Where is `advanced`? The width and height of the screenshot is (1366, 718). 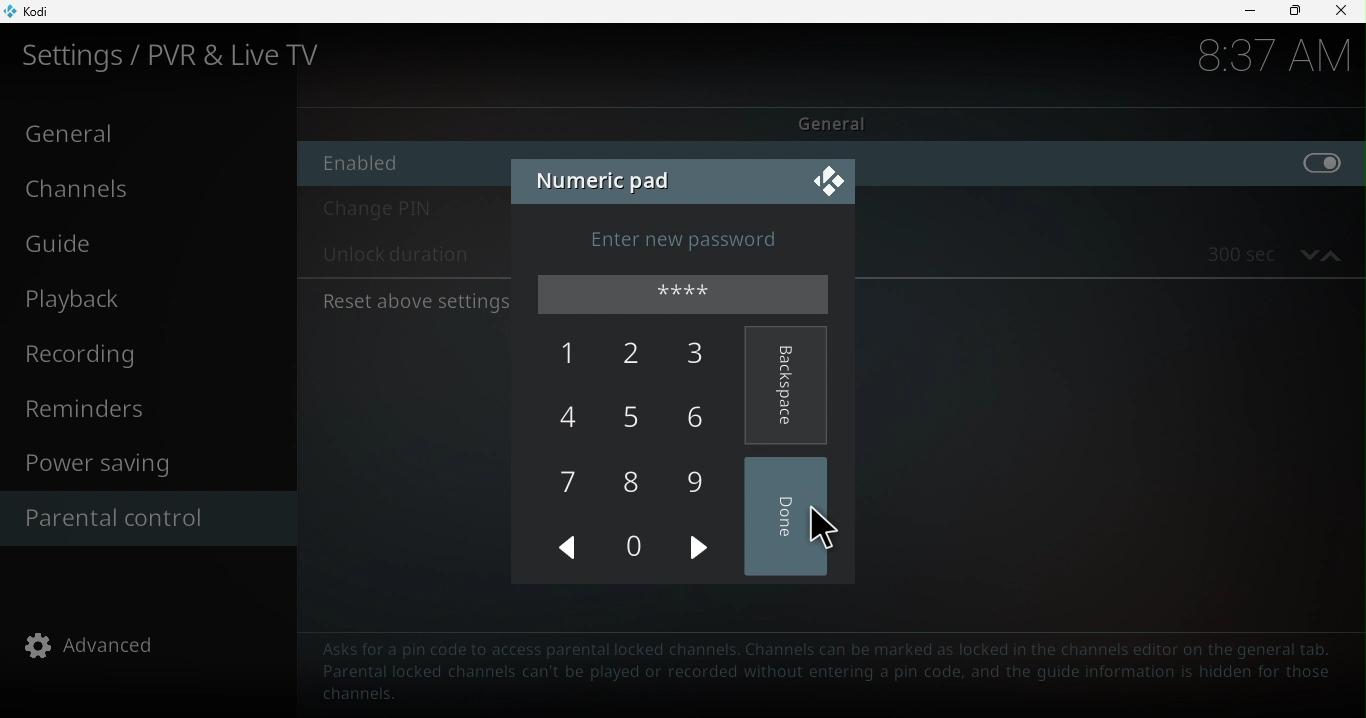
advanced is located at coordinates (95, 646).